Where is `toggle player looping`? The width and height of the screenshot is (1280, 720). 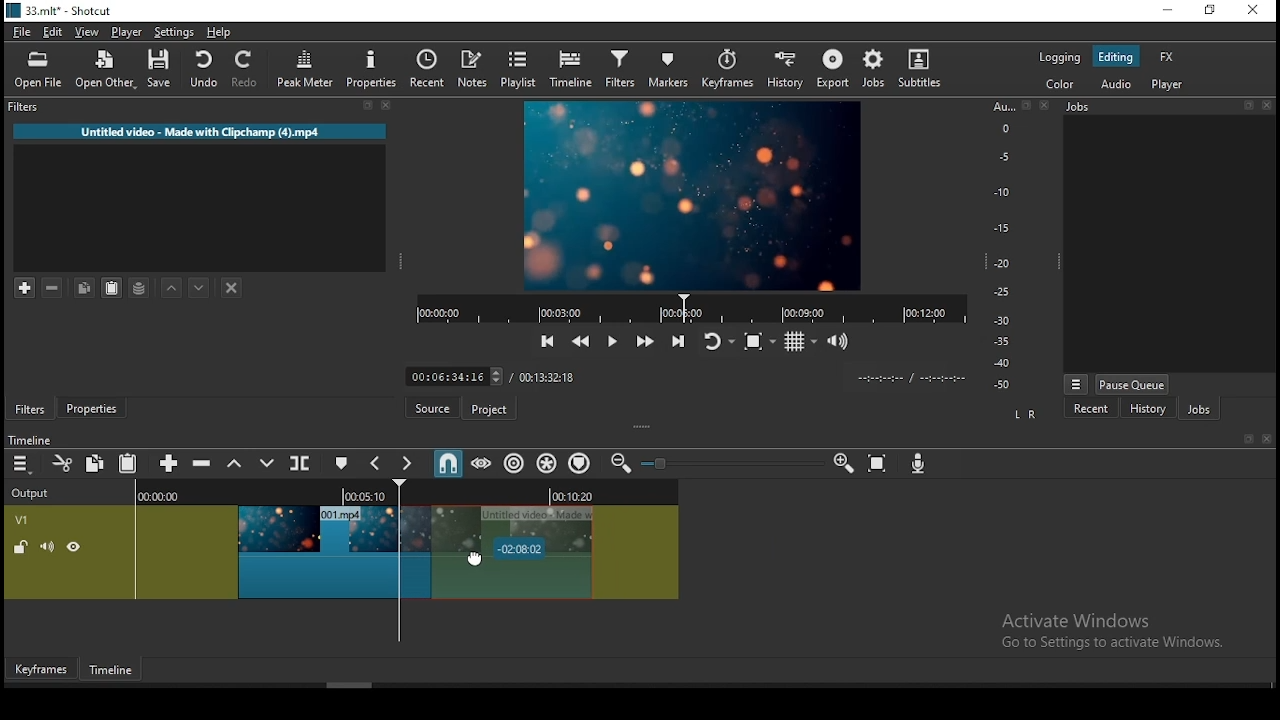
toggle player looping is located at coordinates (716, 343).